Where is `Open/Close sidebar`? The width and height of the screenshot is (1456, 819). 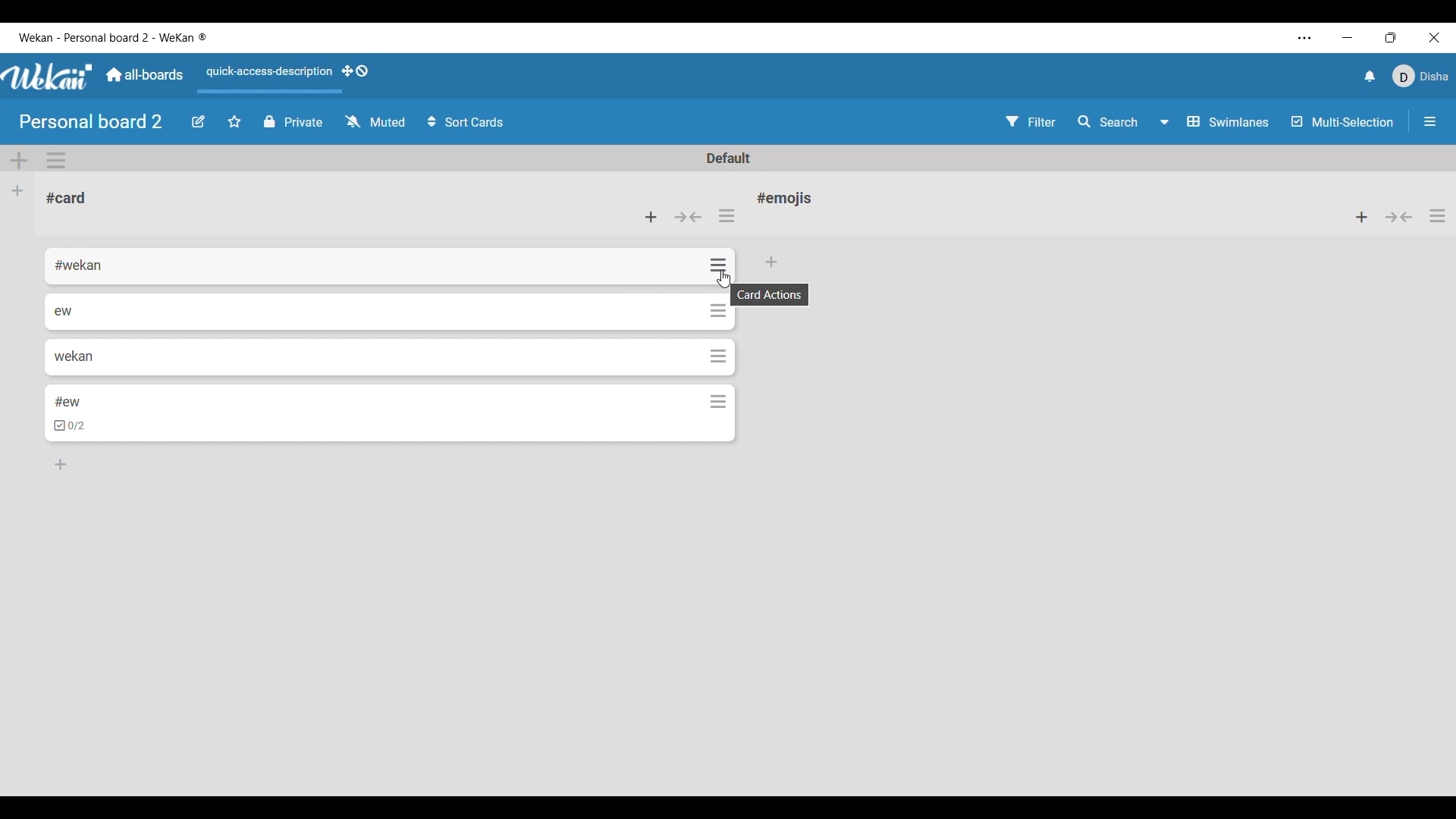
Open/Close sidebar is located at coordinates (1430, 121).